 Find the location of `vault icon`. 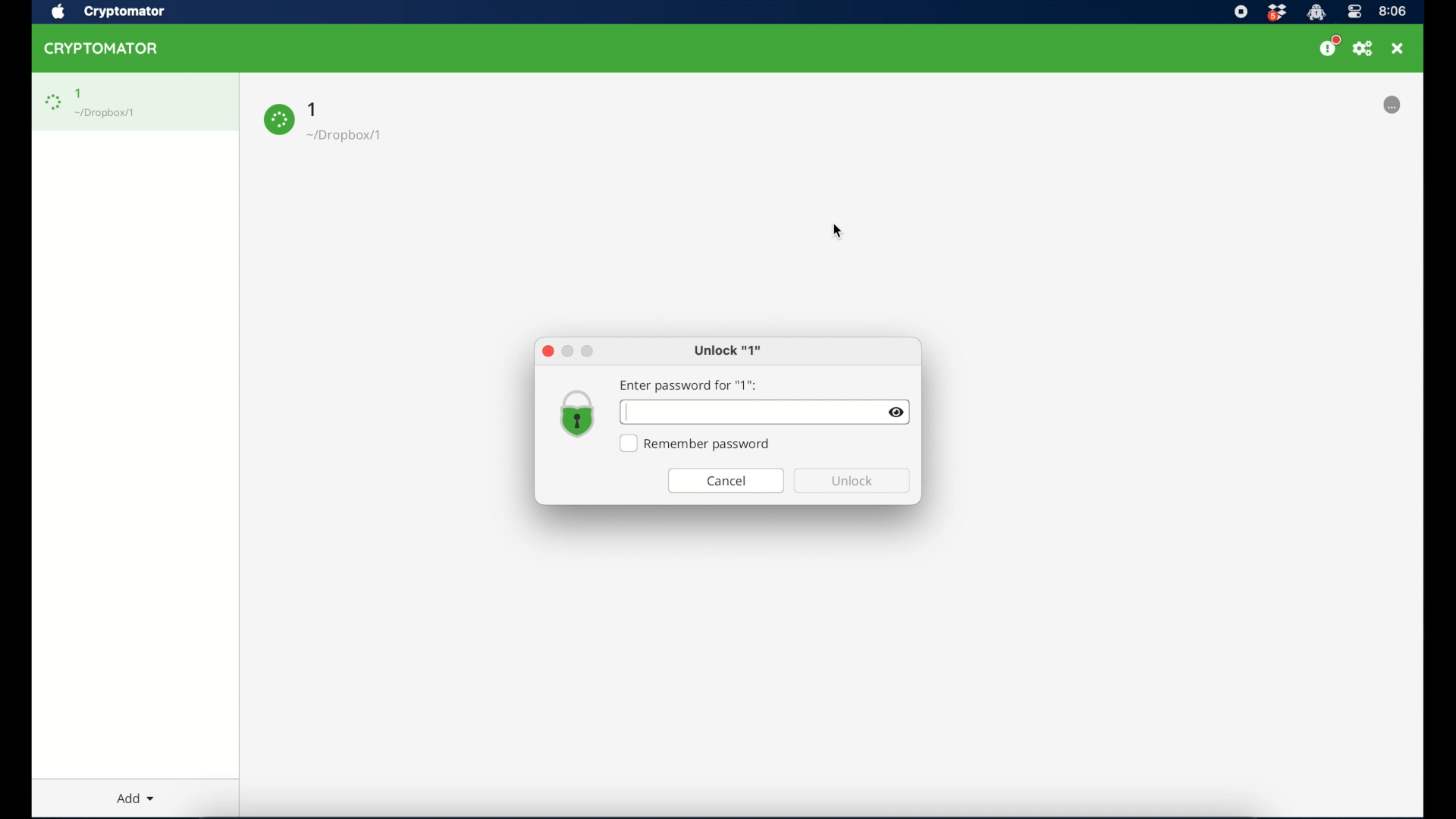

vault icon is located at coordinates (577, 415).